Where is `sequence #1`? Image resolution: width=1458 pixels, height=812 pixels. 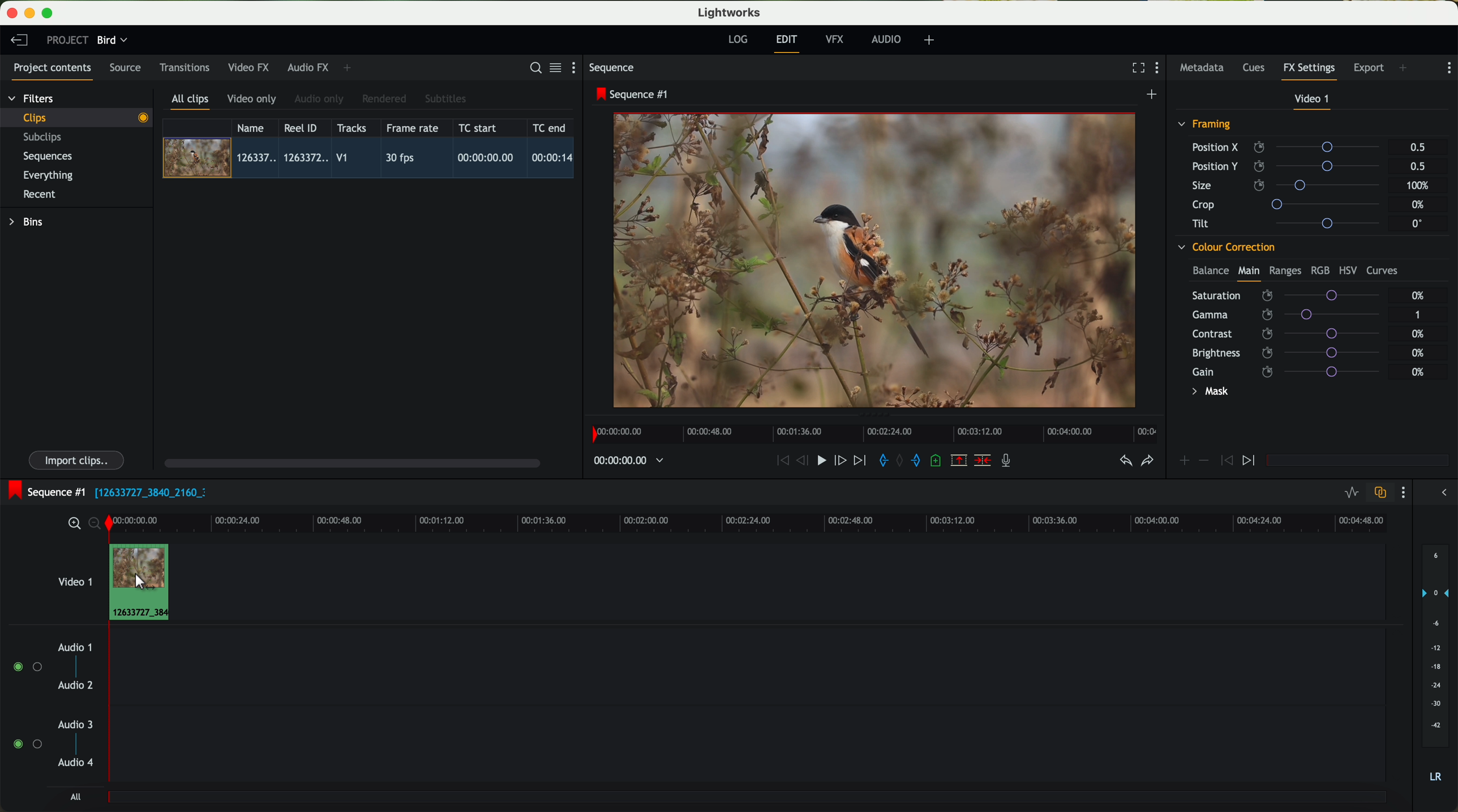
sequence #1 is located at coordinates (44, 492).